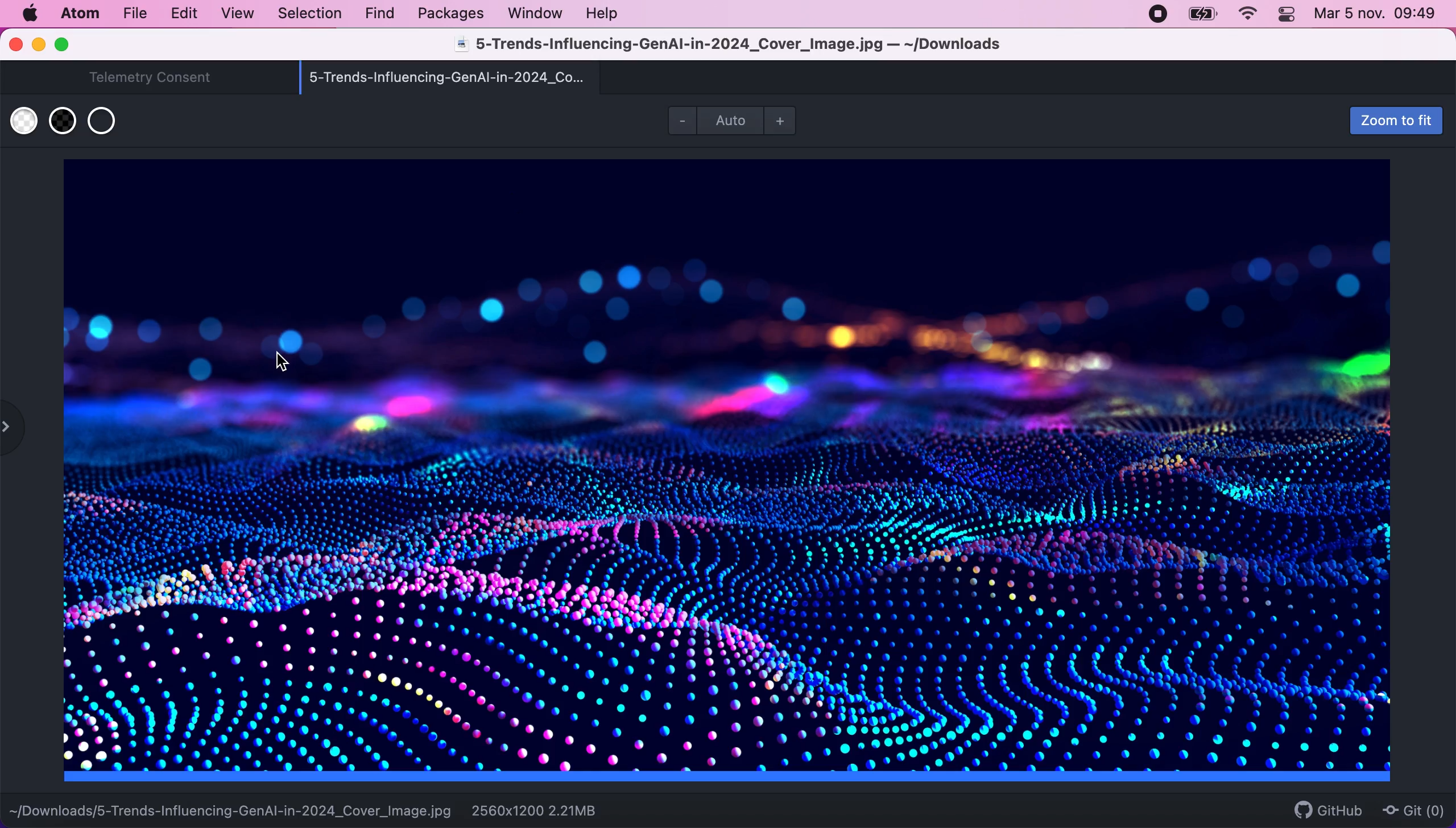 This screenshot has width=1456, height=828. What do you see at coordinates (1159, 16) in the screenshot?
I see `recording stopped` at bounding box center [1159, 16].